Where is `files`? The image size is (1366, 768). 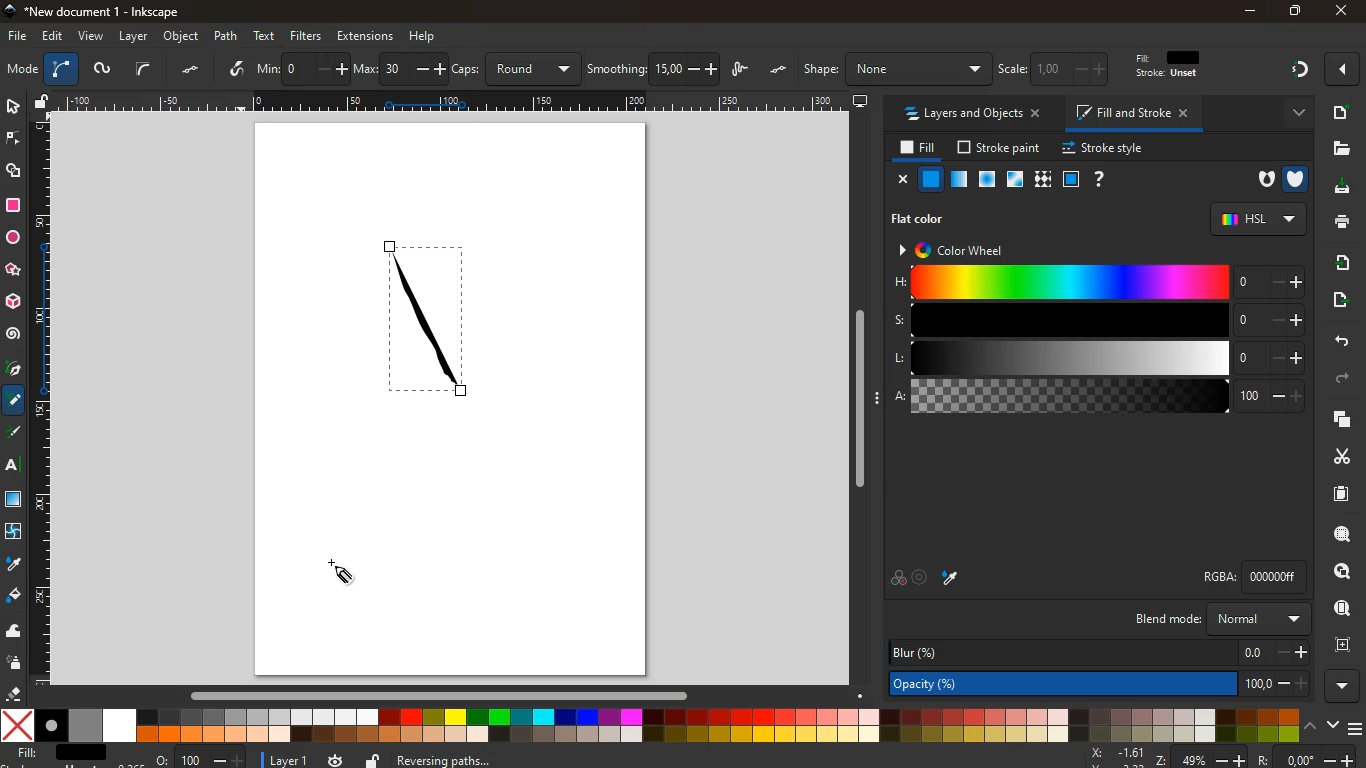
files is located at coordinates (1341, 149).